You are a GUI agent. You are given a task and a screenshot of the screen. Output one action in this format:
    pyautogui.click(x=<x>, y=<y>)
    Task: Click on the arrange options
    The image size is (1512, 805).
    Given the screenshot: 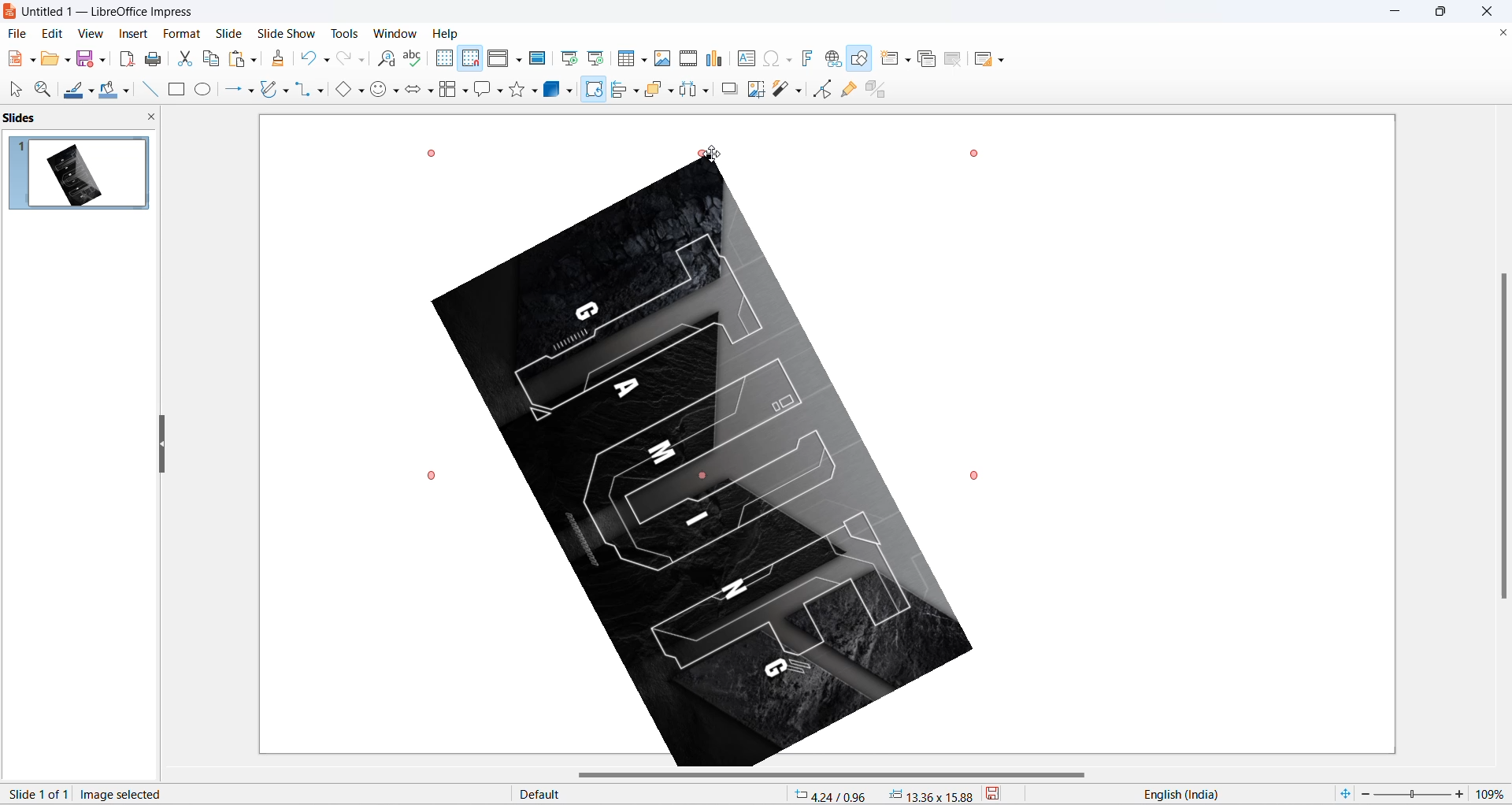 What is the action you would take?
    pyautogui.click(x=673, y=91)
    